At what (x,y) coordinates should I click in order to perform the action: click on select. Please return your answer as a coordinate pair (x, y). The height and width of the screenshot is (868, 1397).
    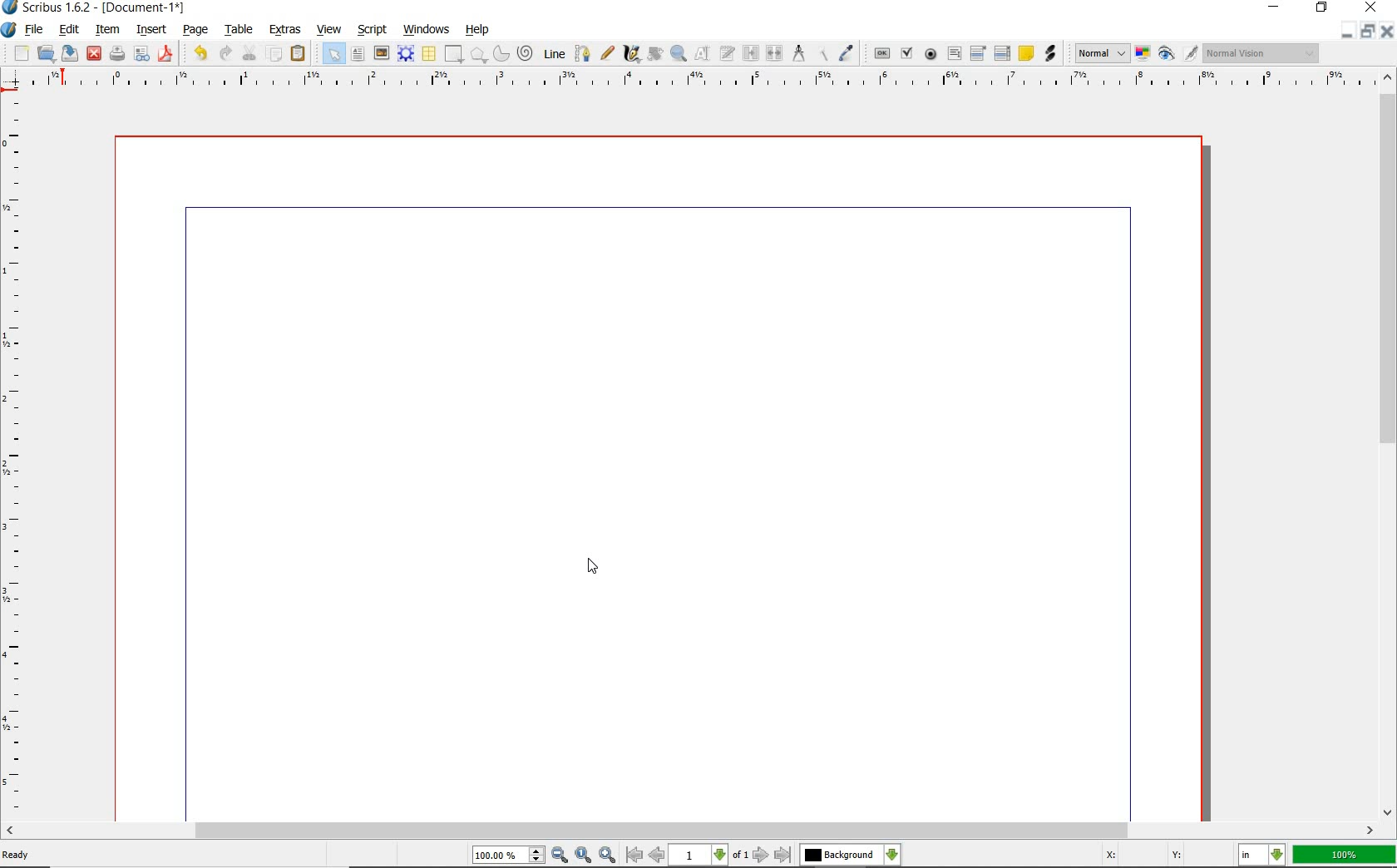
    Looking at the image, I should click on (333, 55).